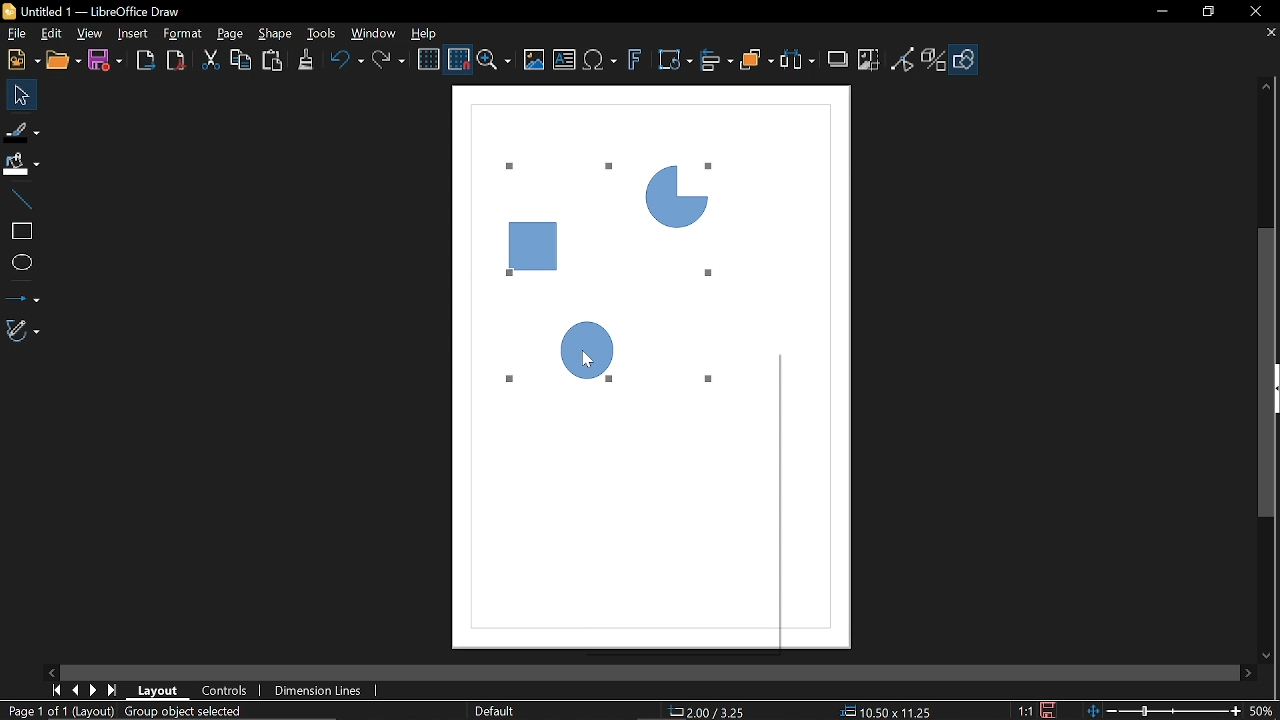 The height and width of the screenshot is (720, 1280). What do you see at coordinates (563, 60) in the screenshot?
I see `Insert text` at bounding box center [563, 60].